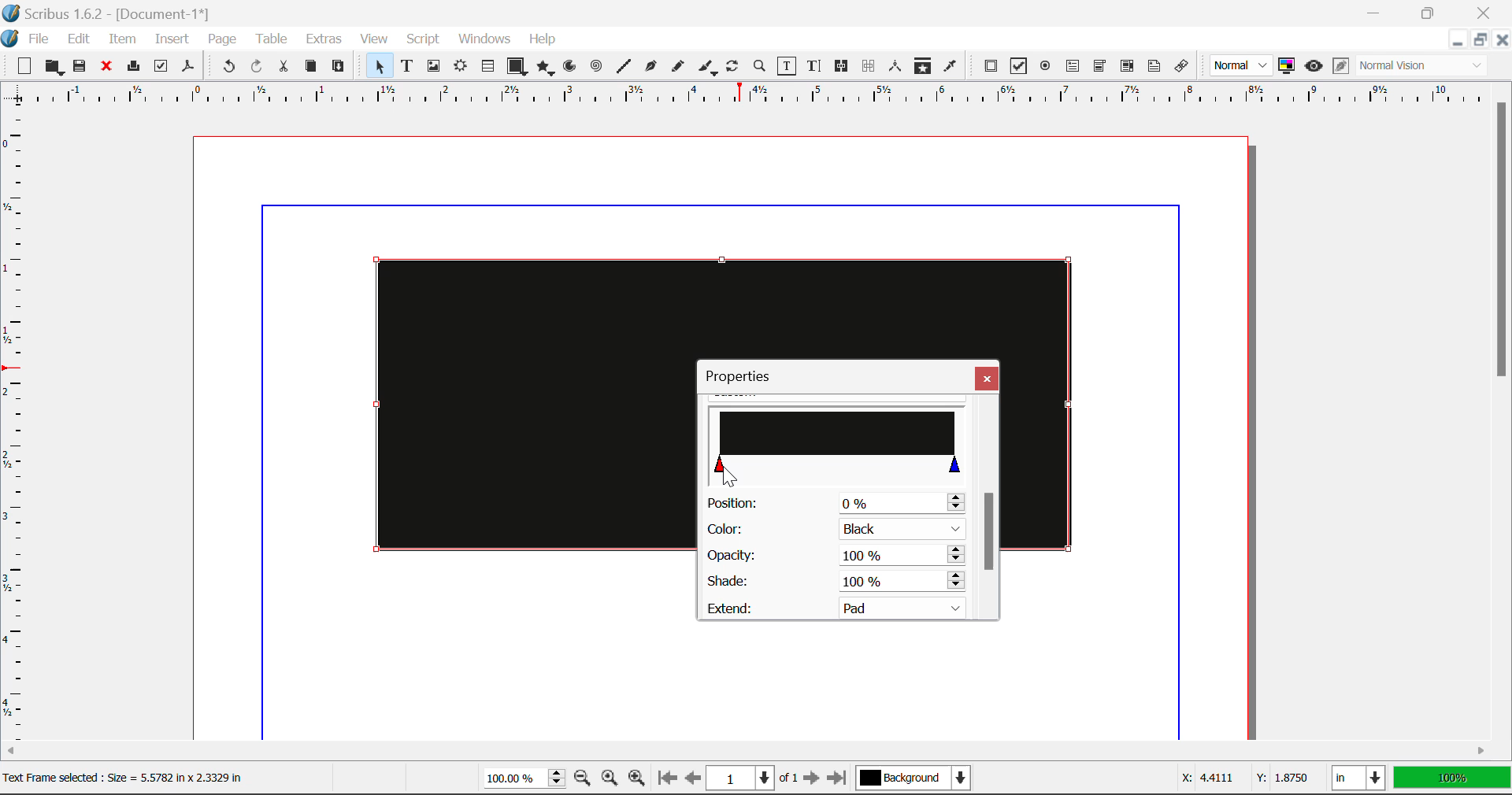 This screenshot has width=1512, height=795. I want to click on Edit, so click(79, 39).